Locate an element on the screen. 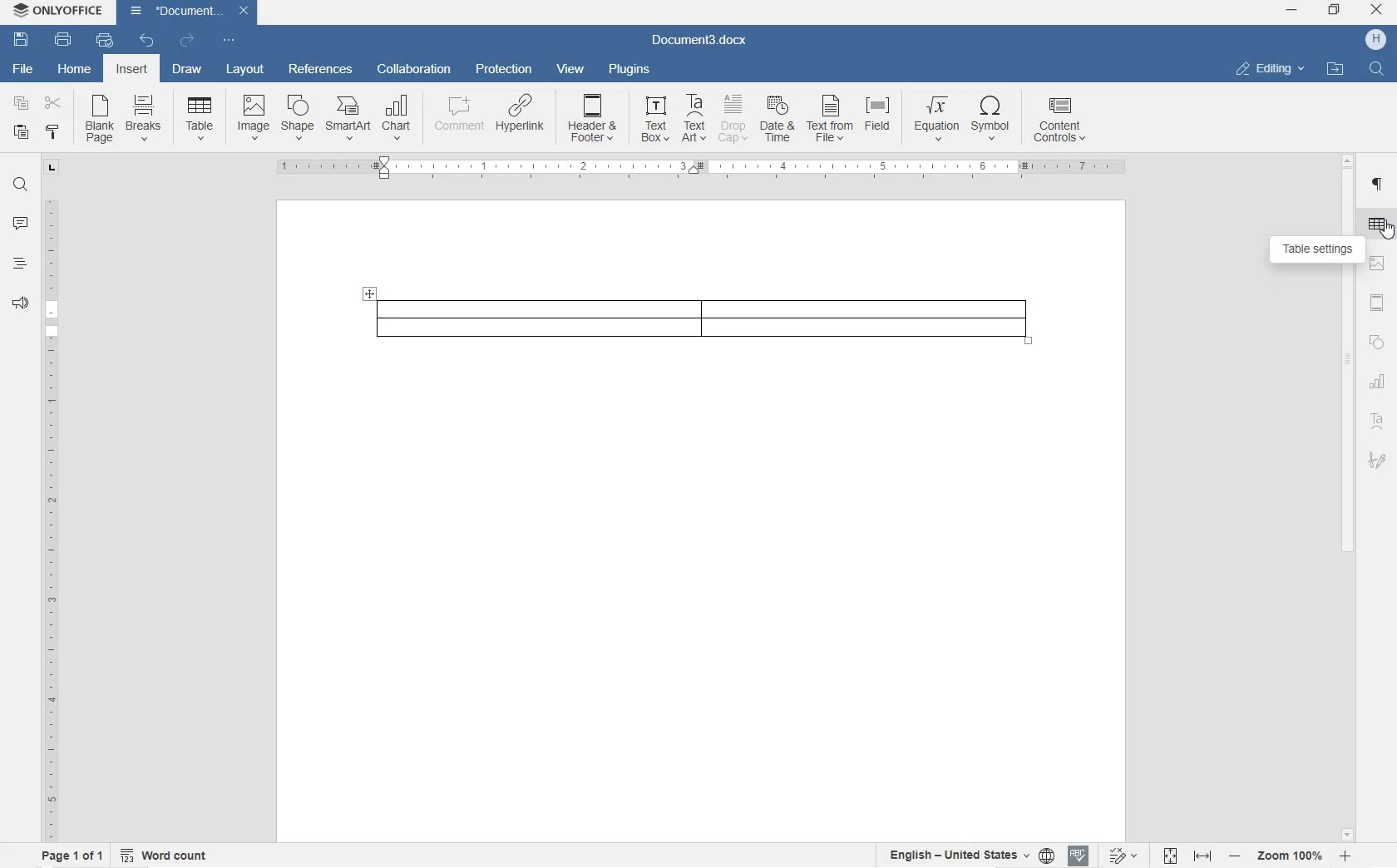  HEADERS & FOOTERS is located at coordinates (1378, 304).